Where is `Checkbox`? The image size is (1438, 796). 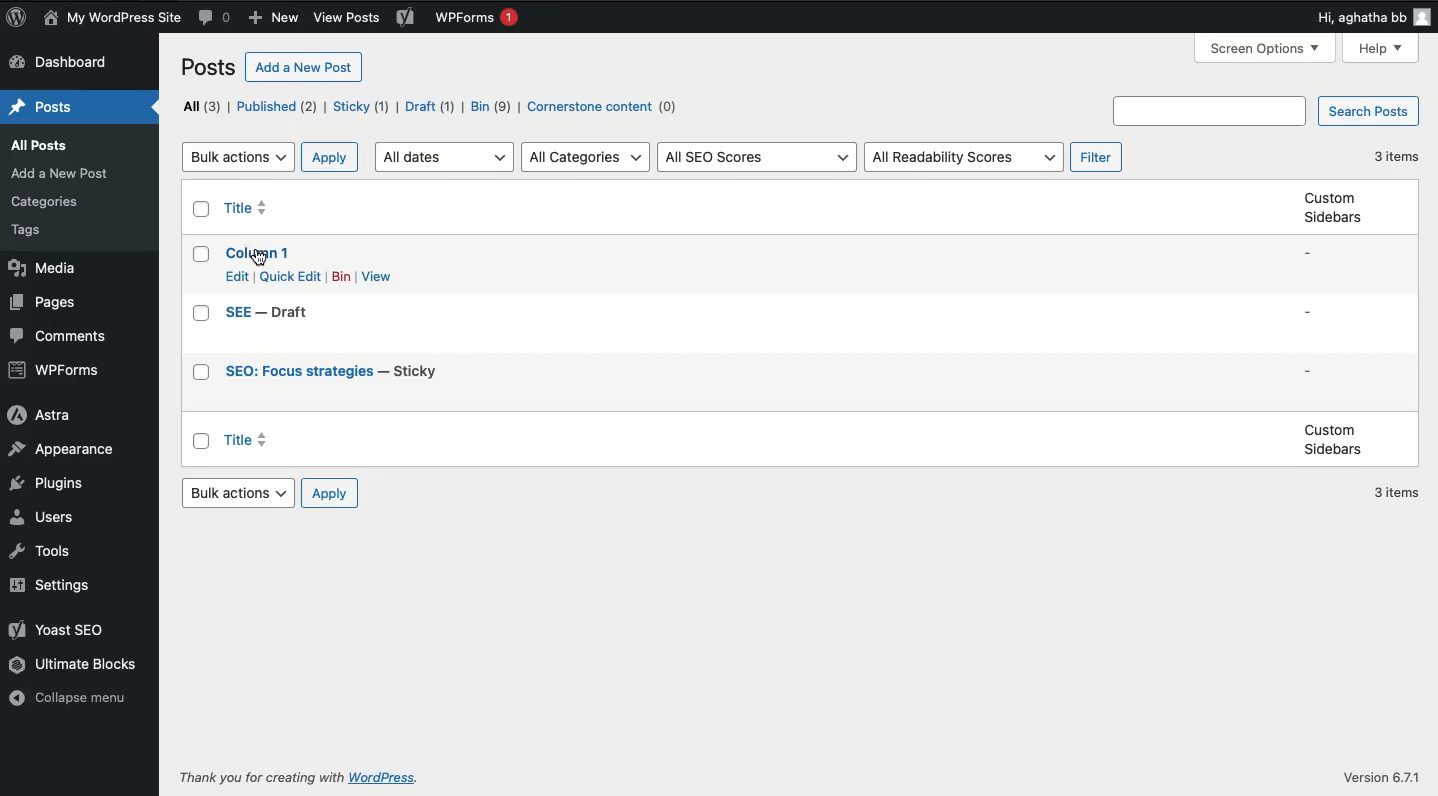 Checkbox is located at coordinates (203, 313).